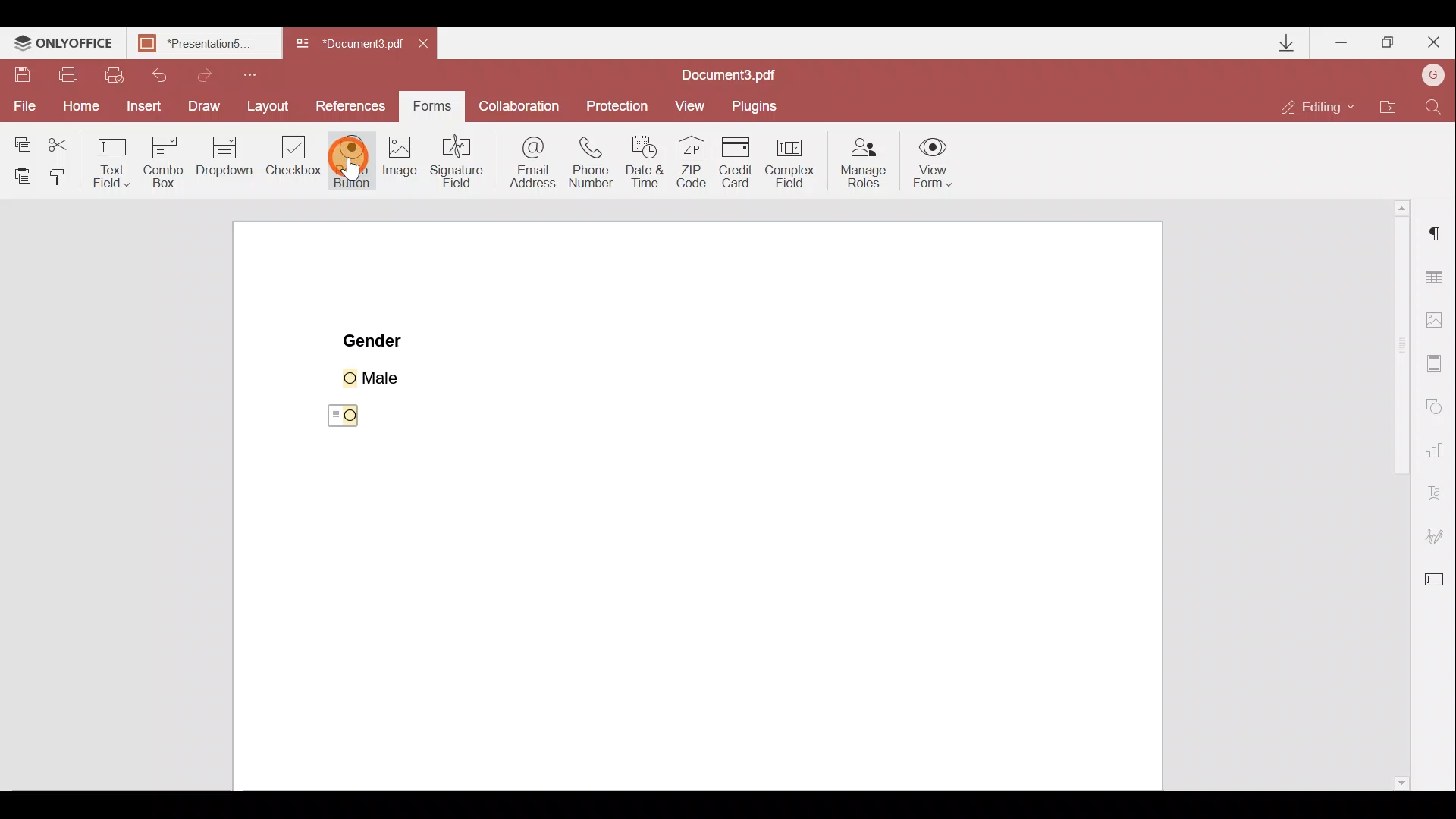 The width and height of the screenshot is (1456, 819). I want to click on Gender, so click(375, 339).